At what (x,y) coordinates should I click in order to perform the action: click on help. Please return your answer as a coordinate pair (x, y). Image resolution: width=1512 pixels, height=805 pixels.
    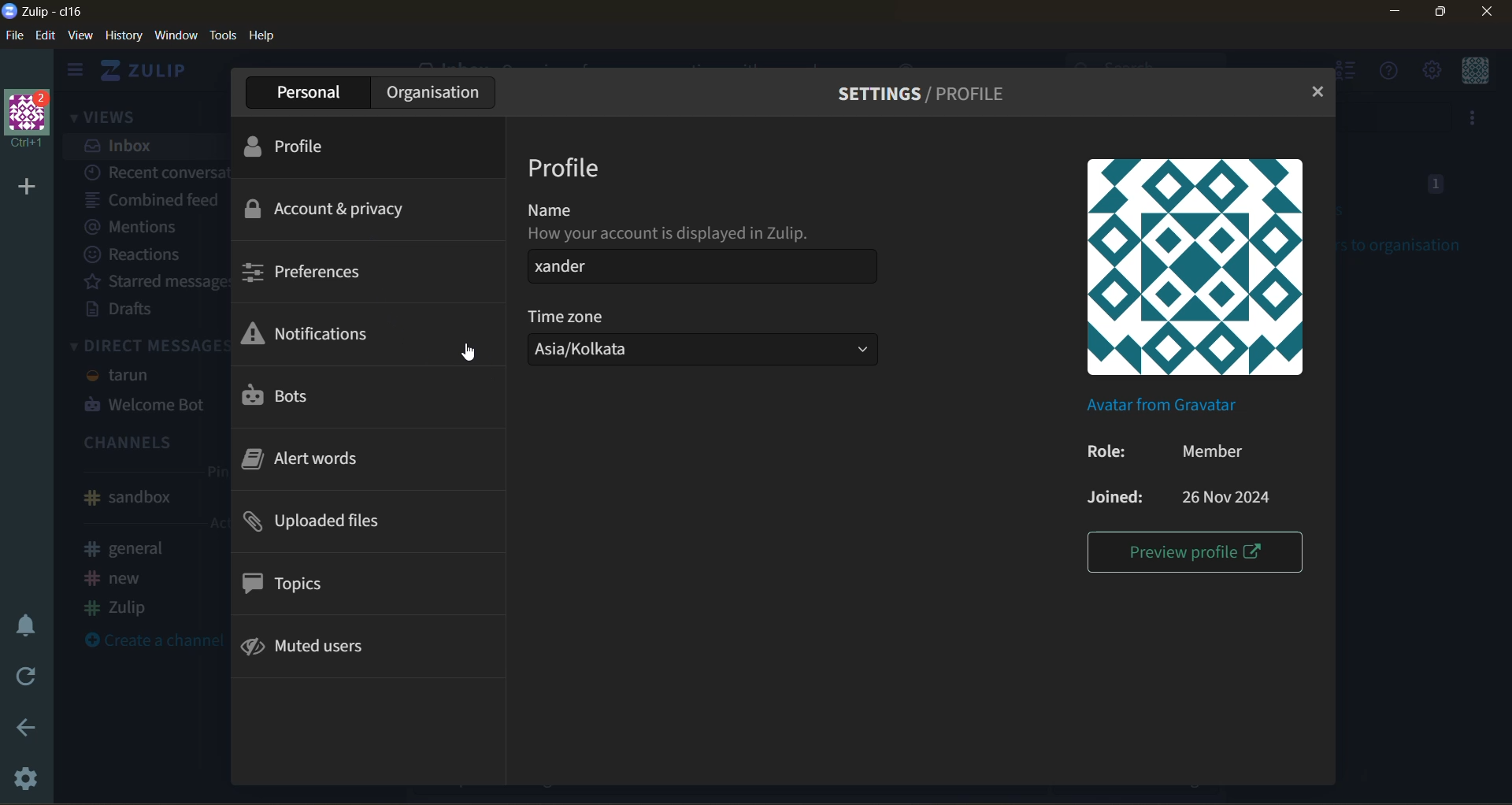
    Looking at the image, I should click on (269, 37).